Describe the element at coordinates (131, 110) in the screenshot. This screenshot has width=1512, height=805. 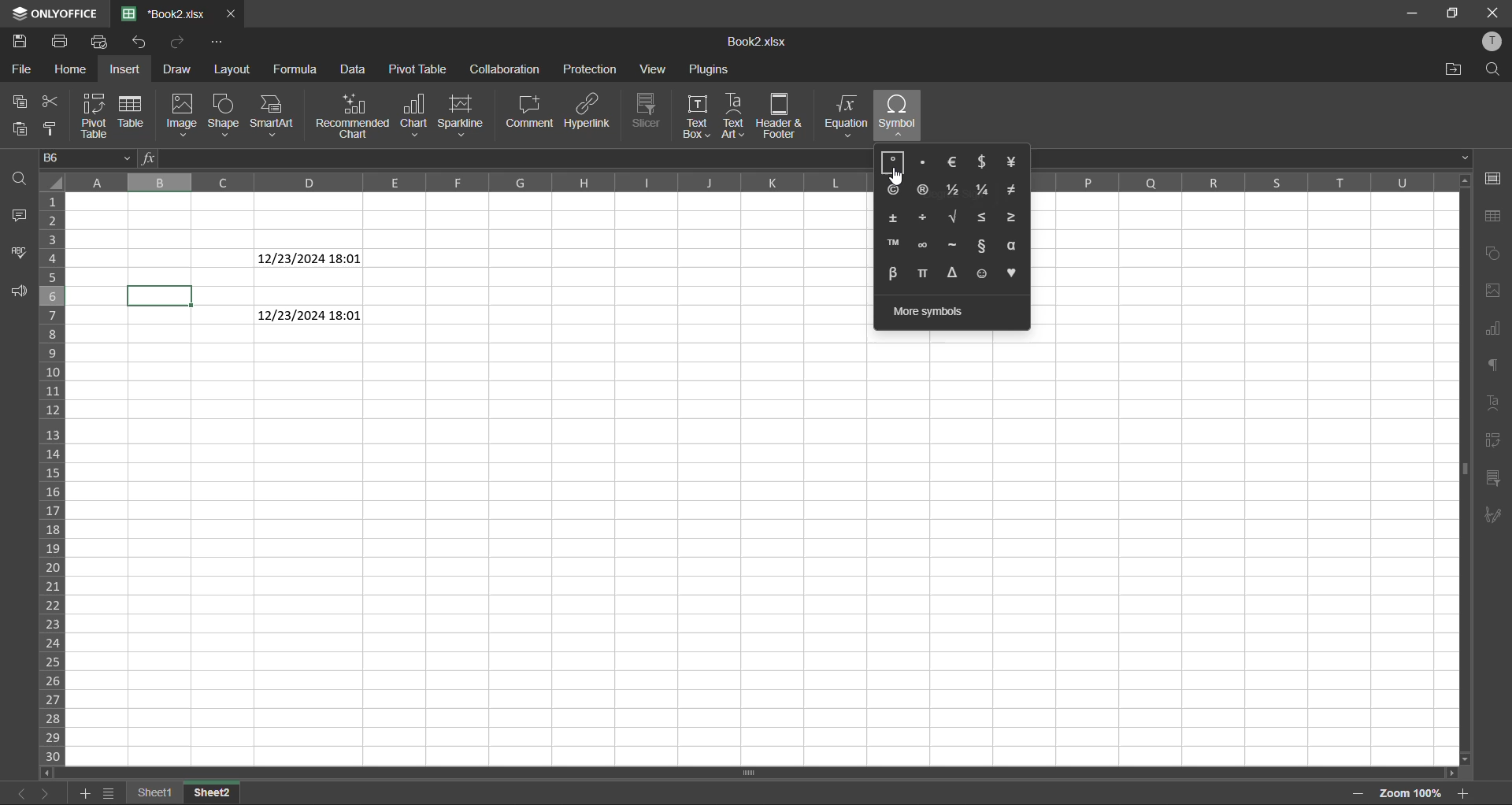
I see `table` at that location.